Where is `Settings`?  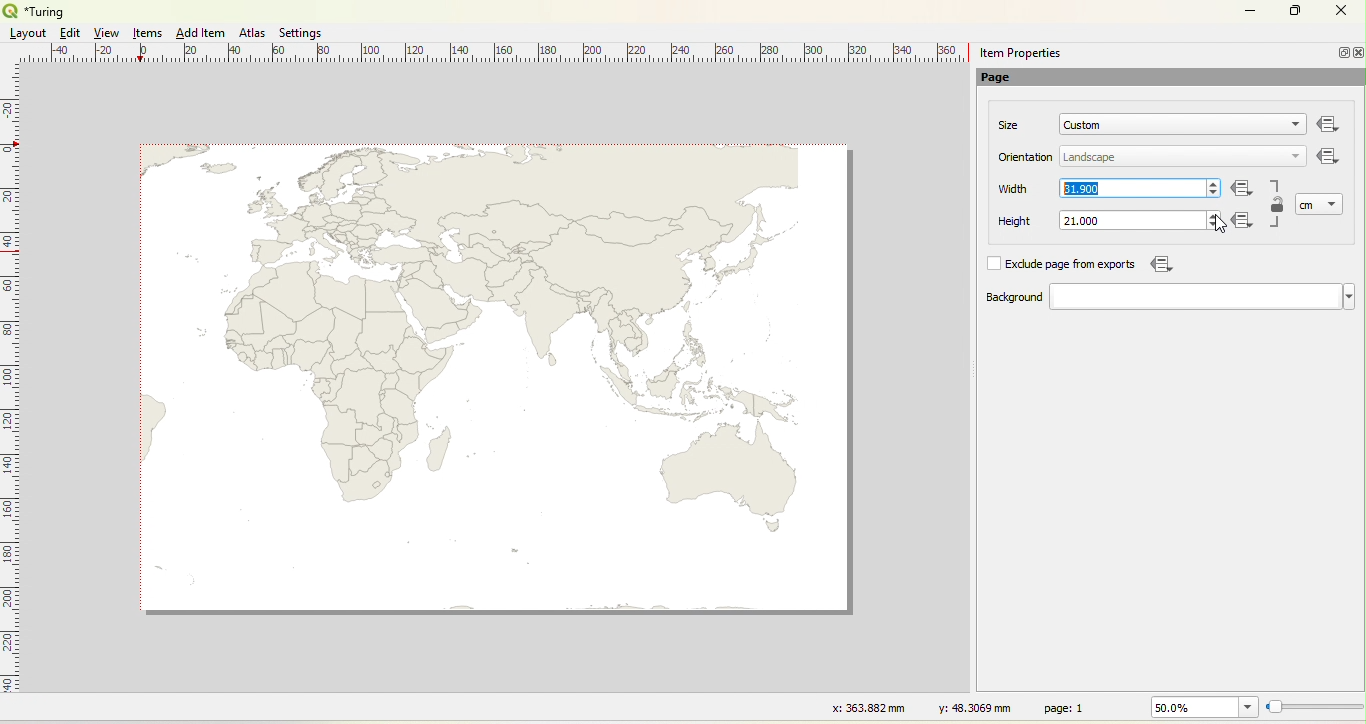
Settings is located at coordinates (302, 33).